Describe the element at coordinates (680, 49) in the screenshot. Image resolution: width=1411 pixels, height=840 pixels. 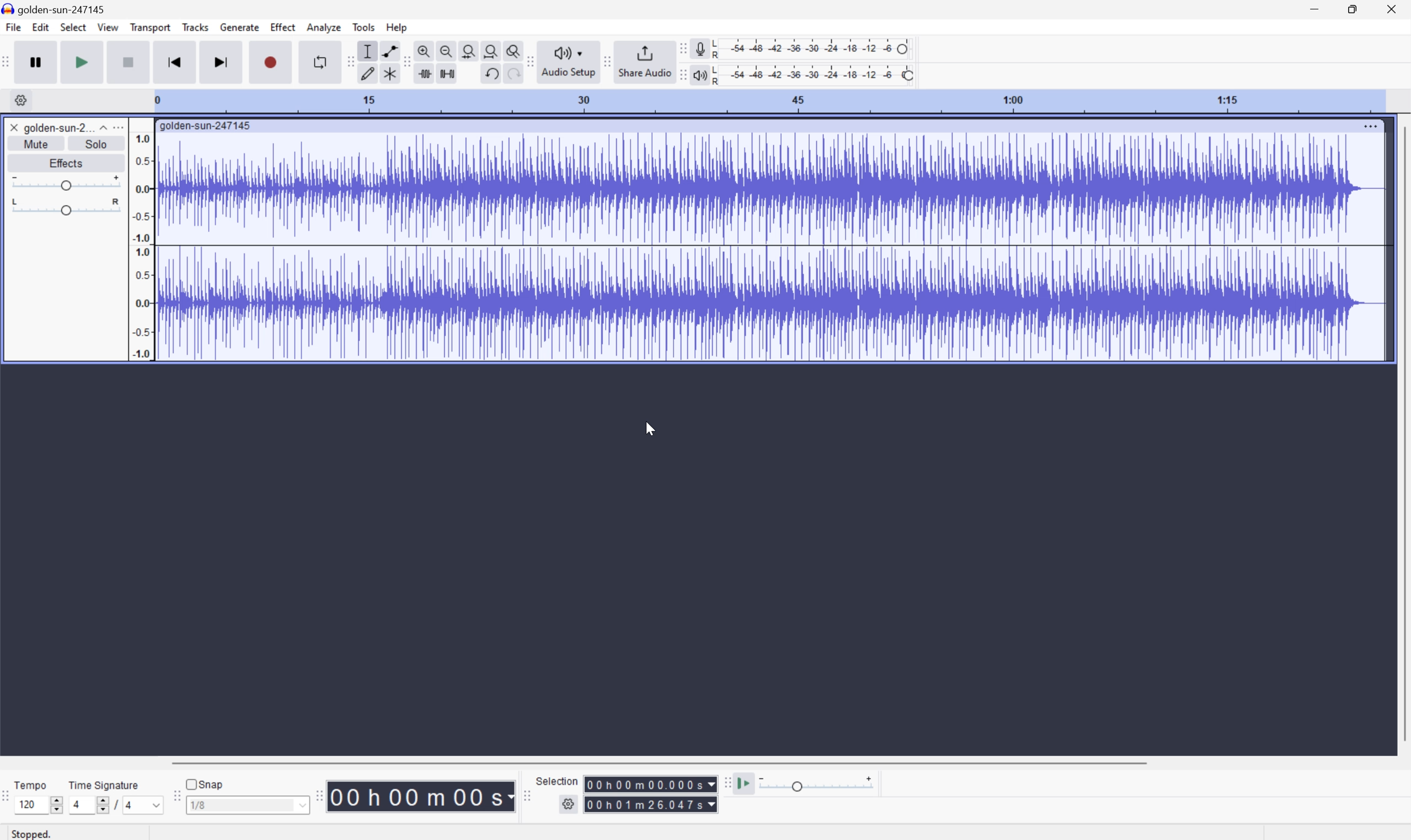
I see `Audacity recording meter toolbar` at that location.